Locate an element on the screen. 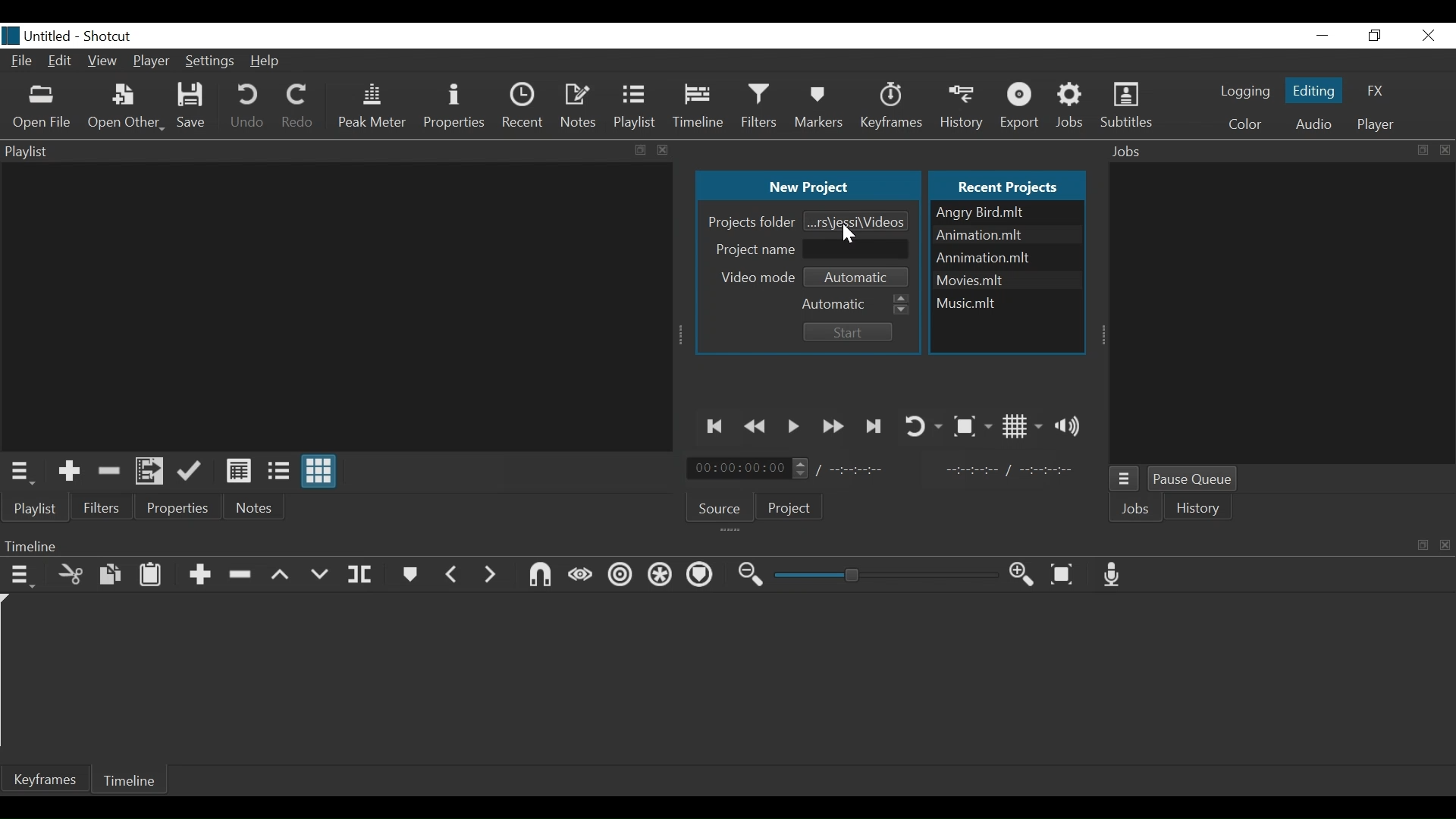 Image resolution: width=1456 pixels, height=819 pixels. Append is located at coordinates (199, 576).